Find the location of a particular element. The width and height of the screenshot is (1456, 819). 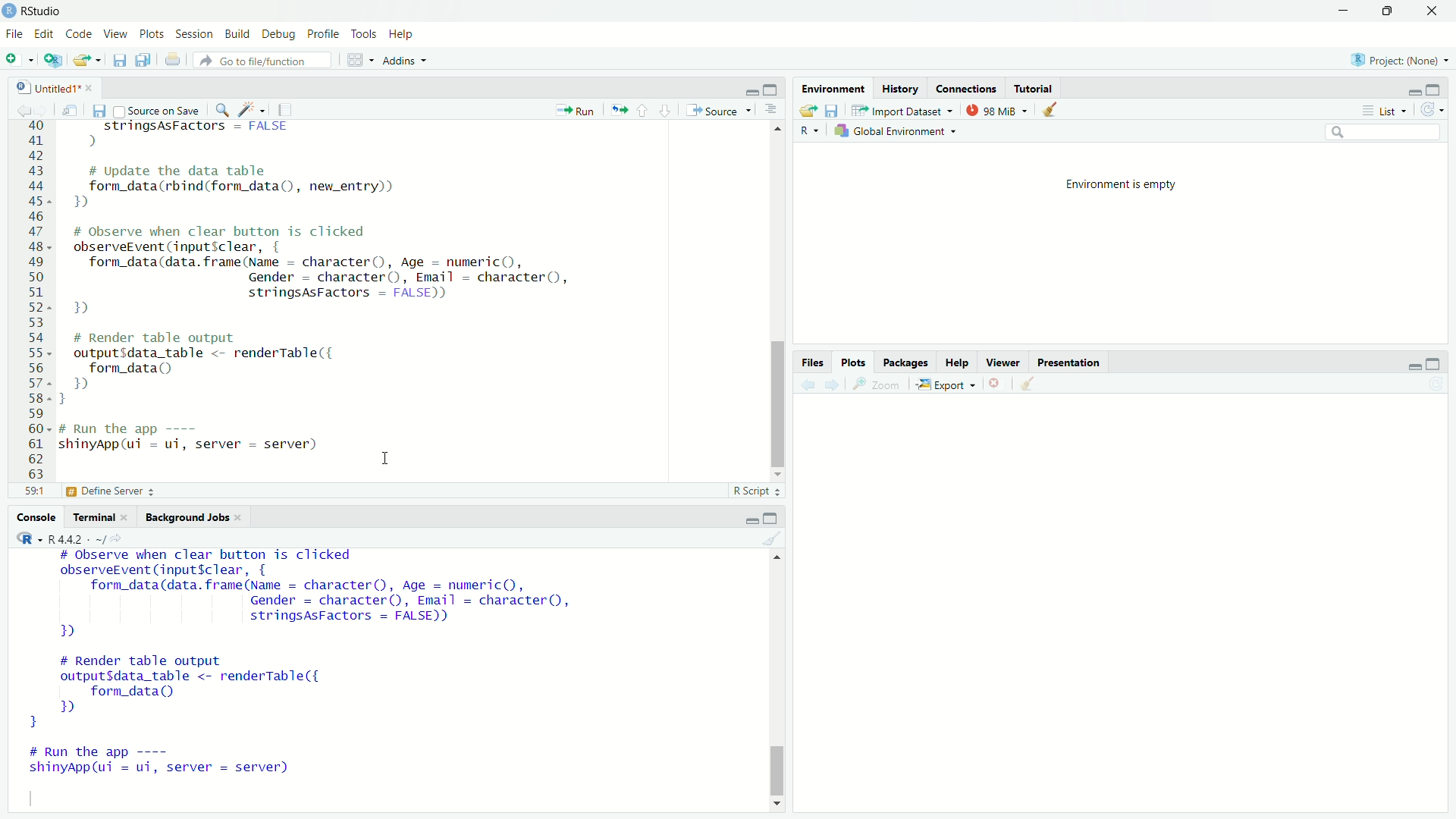

go back to previous source location is located at coordinates (17, 108).